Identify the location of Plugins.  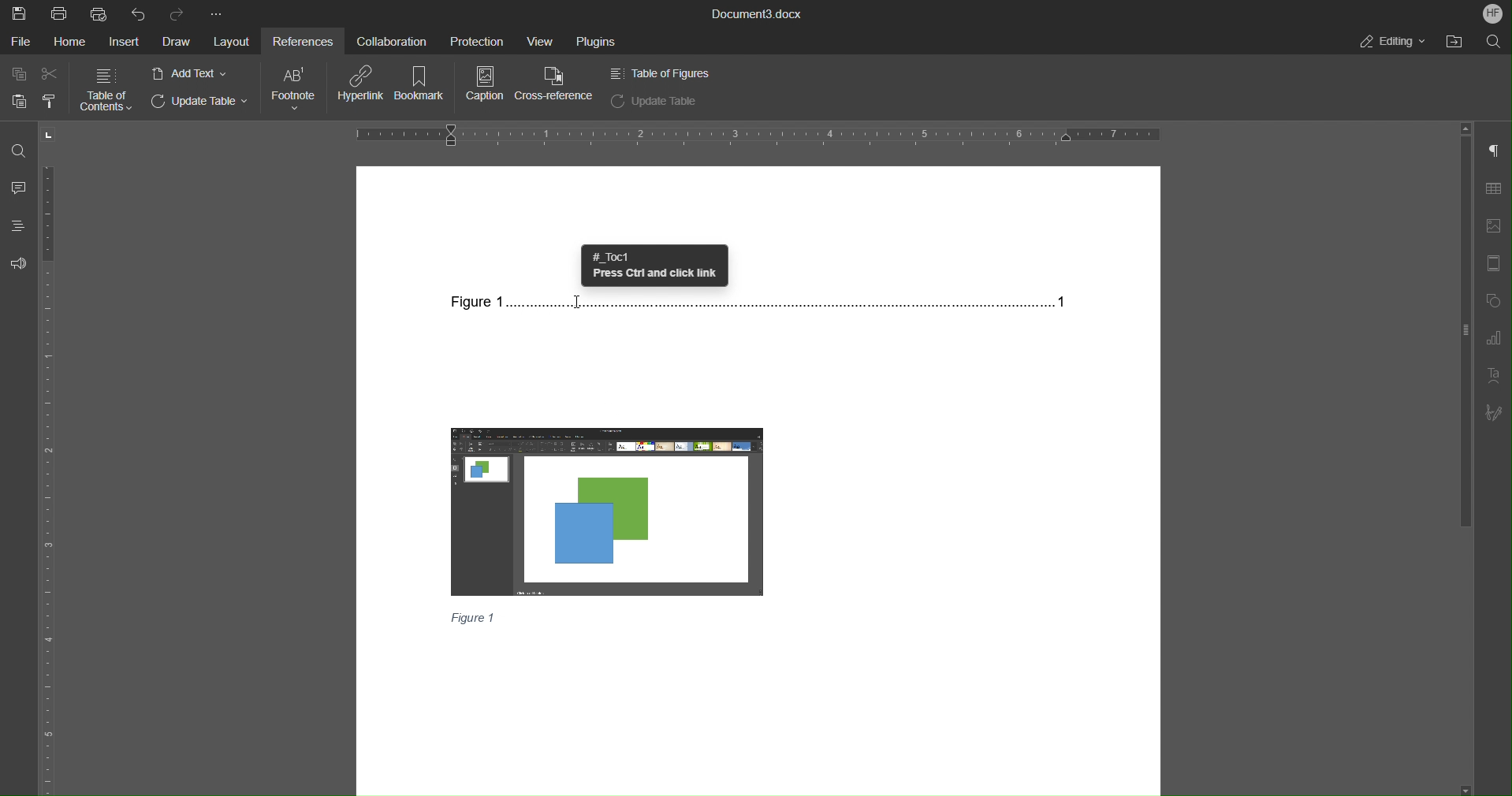
(594, 41).